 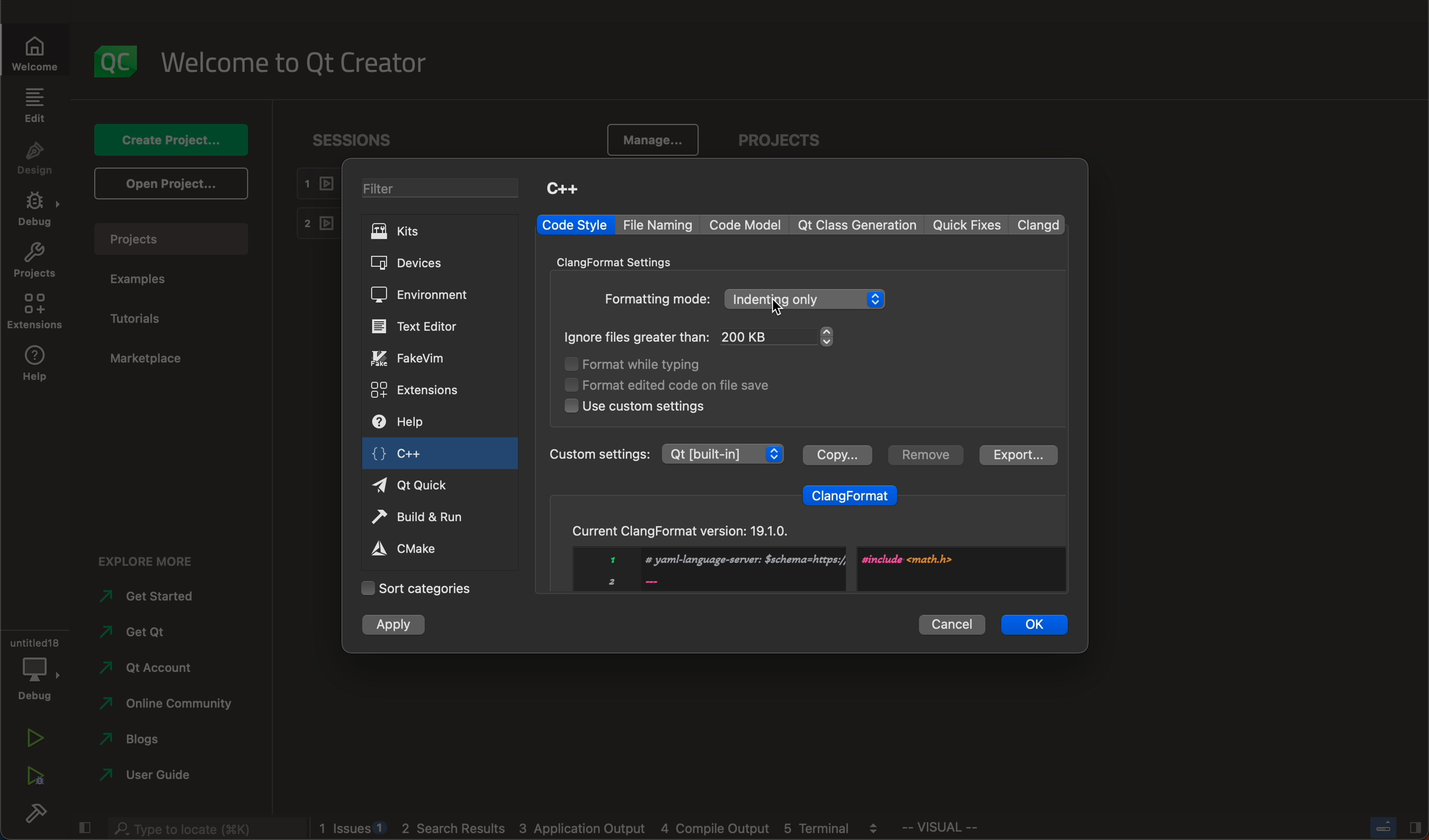 What do you see at coordinates (413, 423) in the screenshot?
I see `help` at bounding box center [413, 423].